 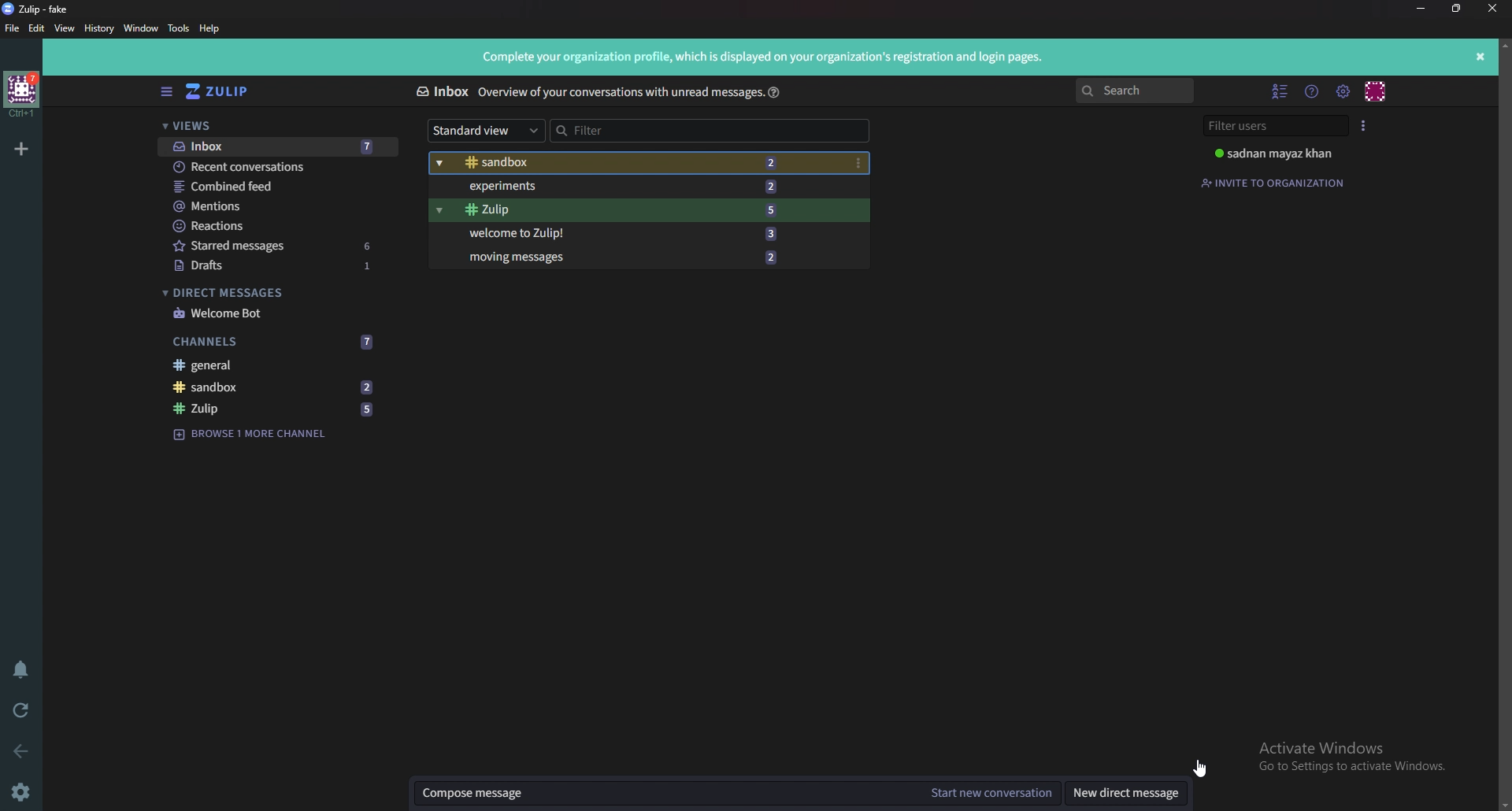 What do you see at coordinates (1503, 424) in the screenshot?
I see `scroll bar` at bounding box center [1503, 424].